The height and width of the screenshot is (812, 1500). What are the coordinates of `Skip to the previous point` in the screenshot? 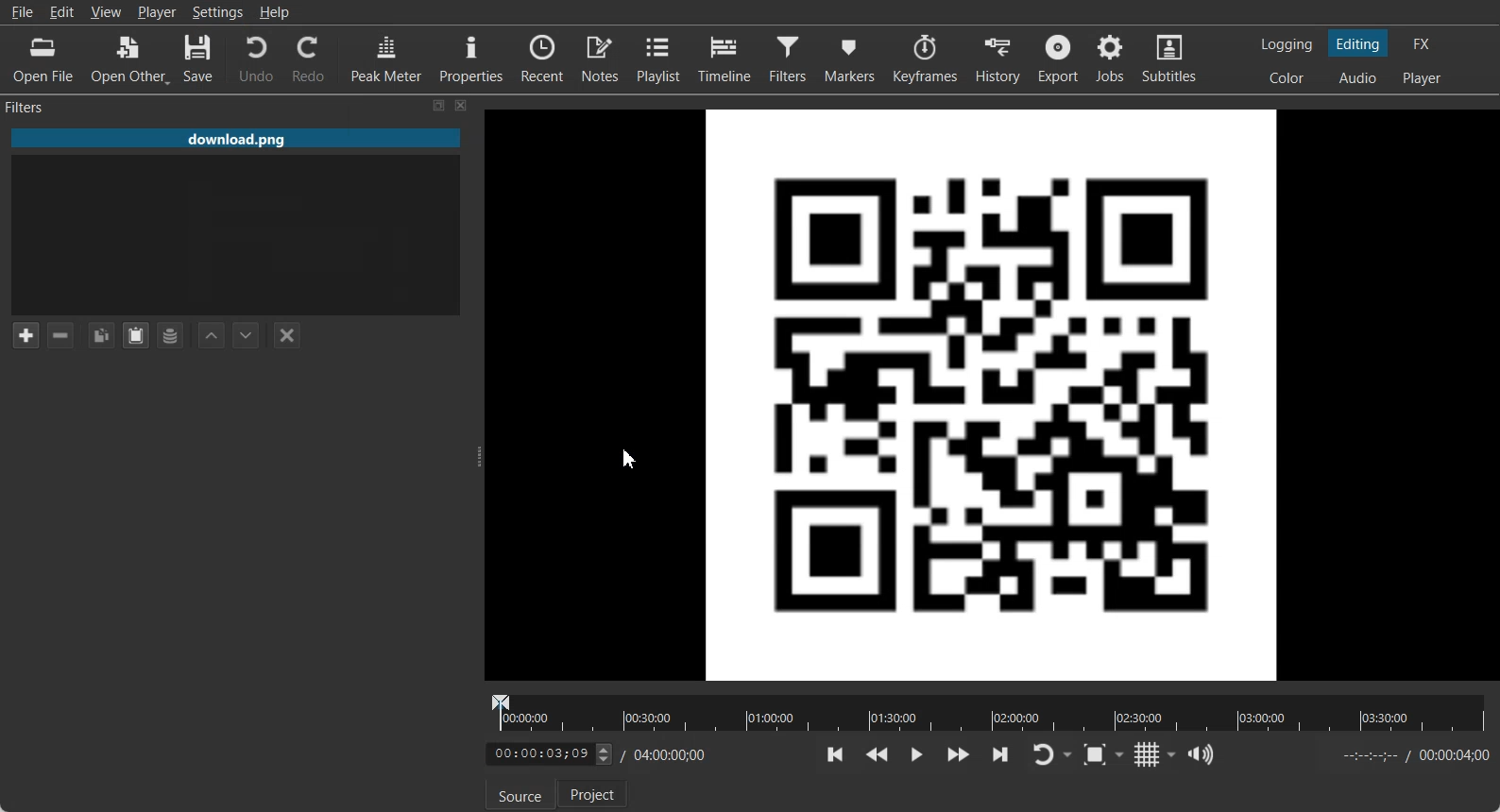 It's located at (836, 754).